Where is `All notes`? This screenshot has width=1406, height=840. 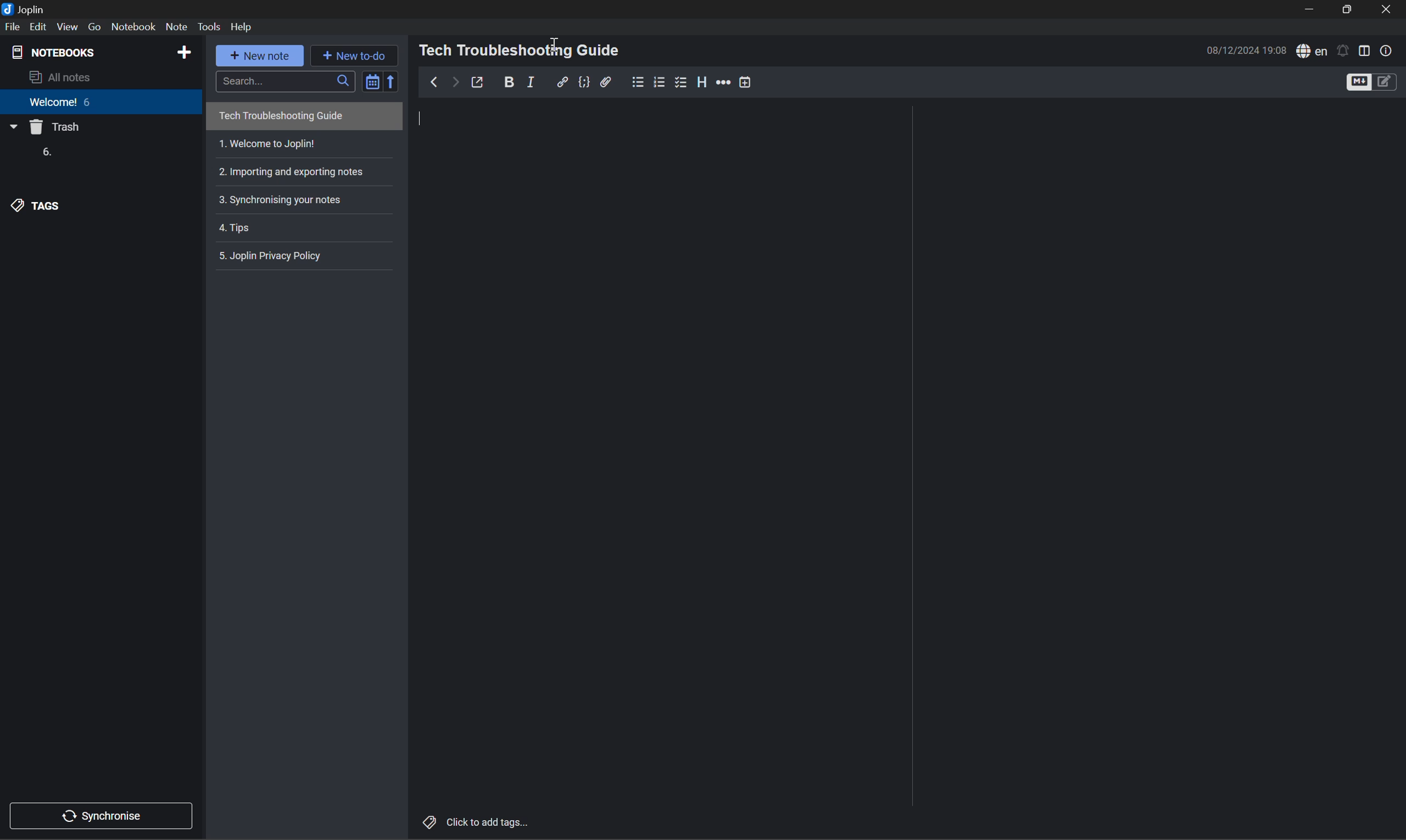
All notes is located at coordinates (63, 78).